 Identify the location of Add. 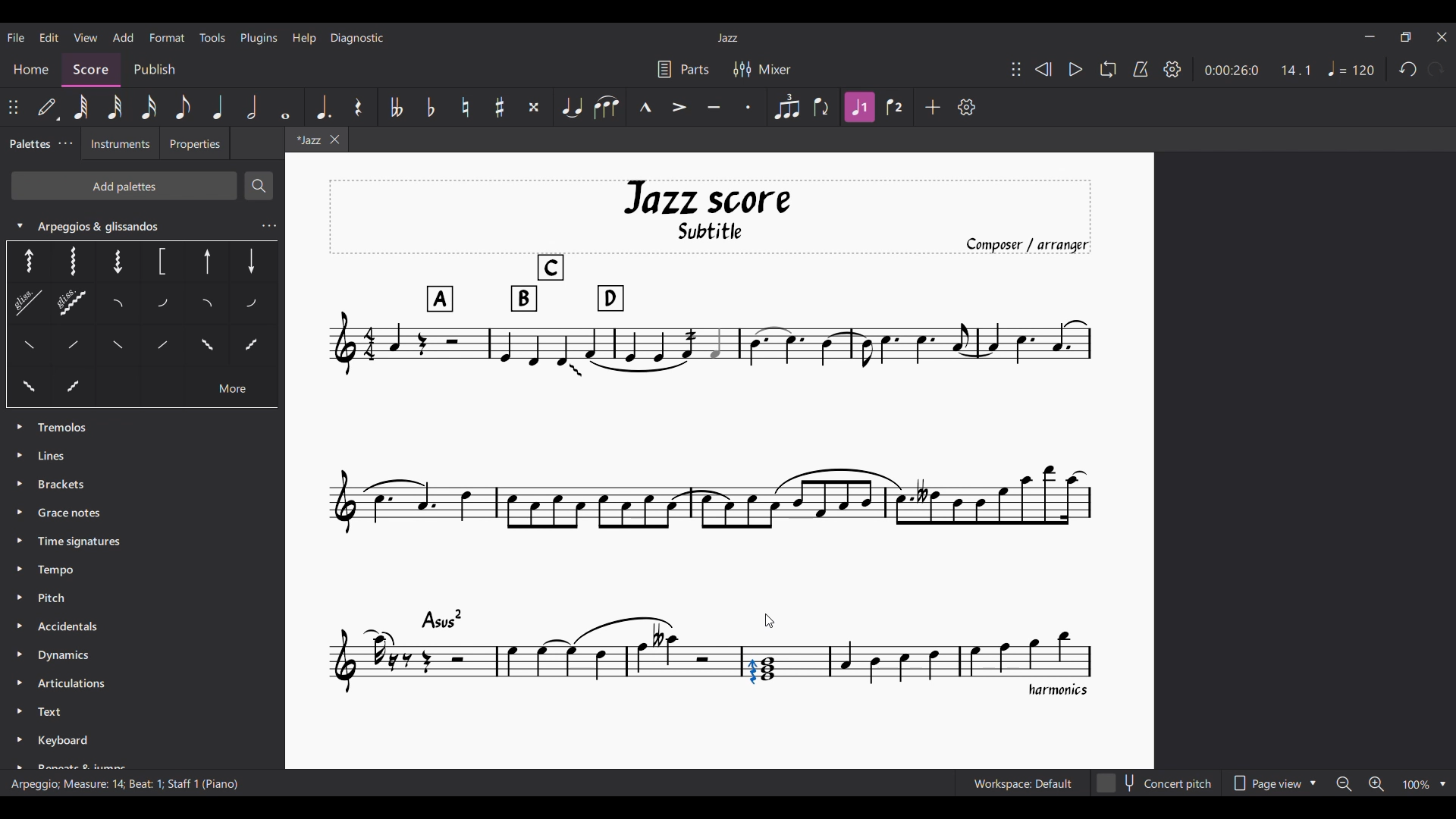
(934, 107).